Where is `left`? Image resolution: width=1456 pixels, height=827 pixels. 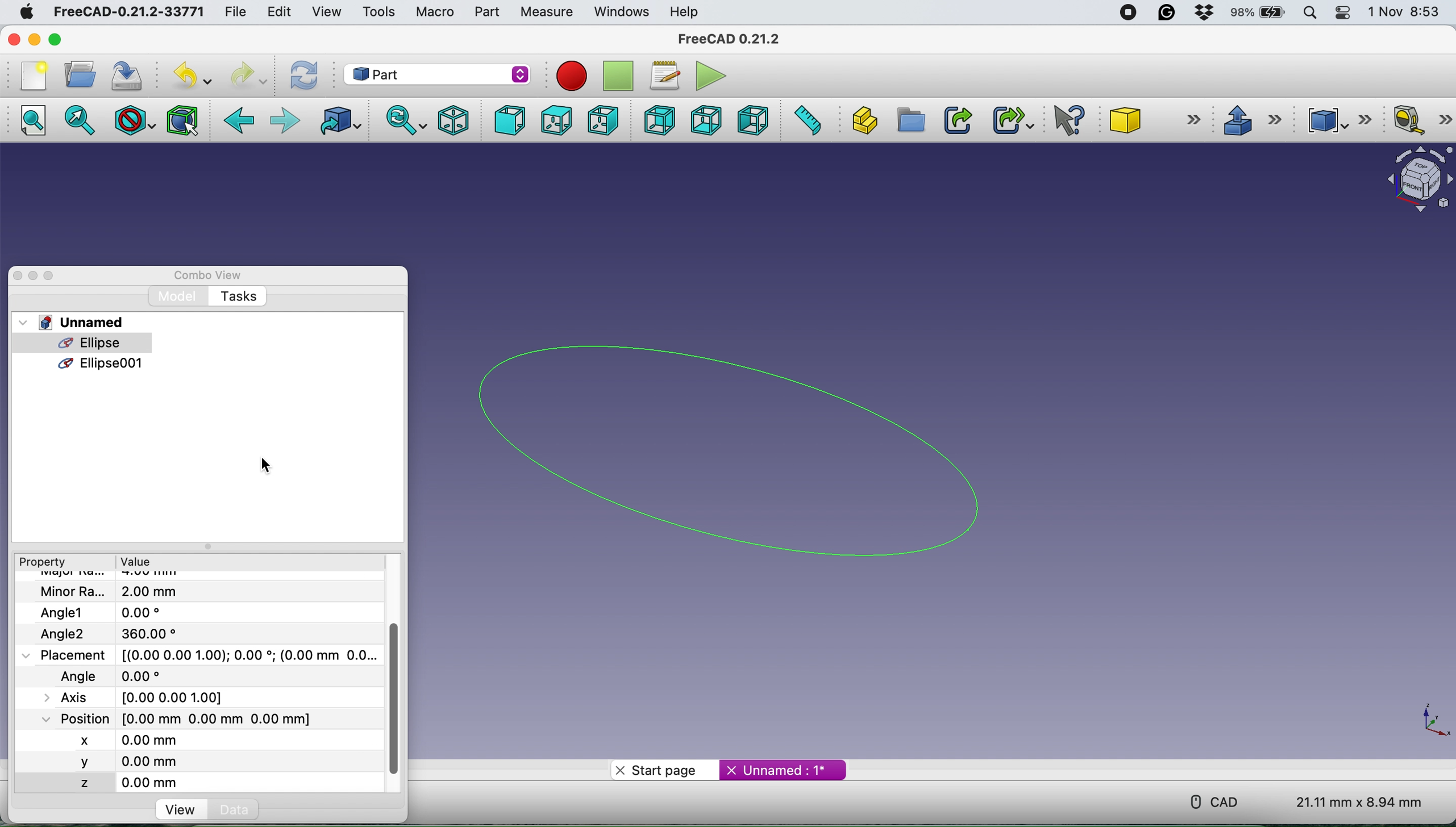
left is located at coordinates (752, 120).